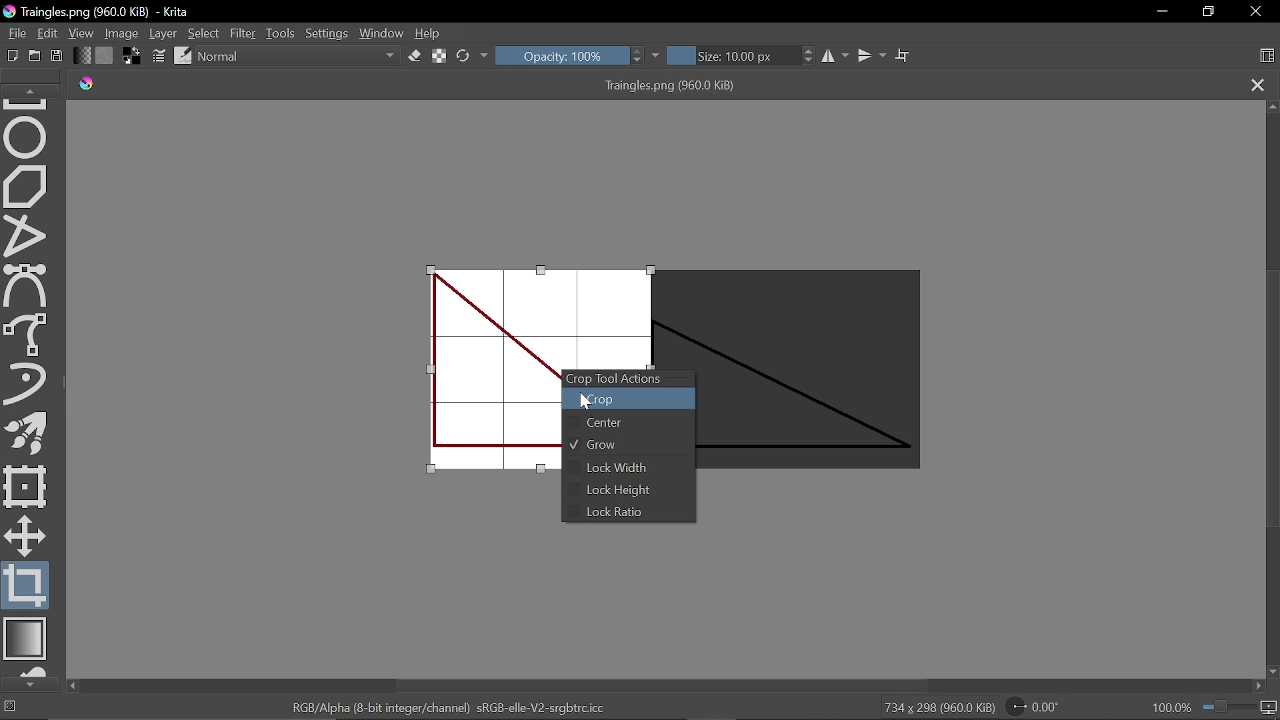  Describe the element at coordinates (26, 586) in the screenshot. I see `Crop tool` at that location.